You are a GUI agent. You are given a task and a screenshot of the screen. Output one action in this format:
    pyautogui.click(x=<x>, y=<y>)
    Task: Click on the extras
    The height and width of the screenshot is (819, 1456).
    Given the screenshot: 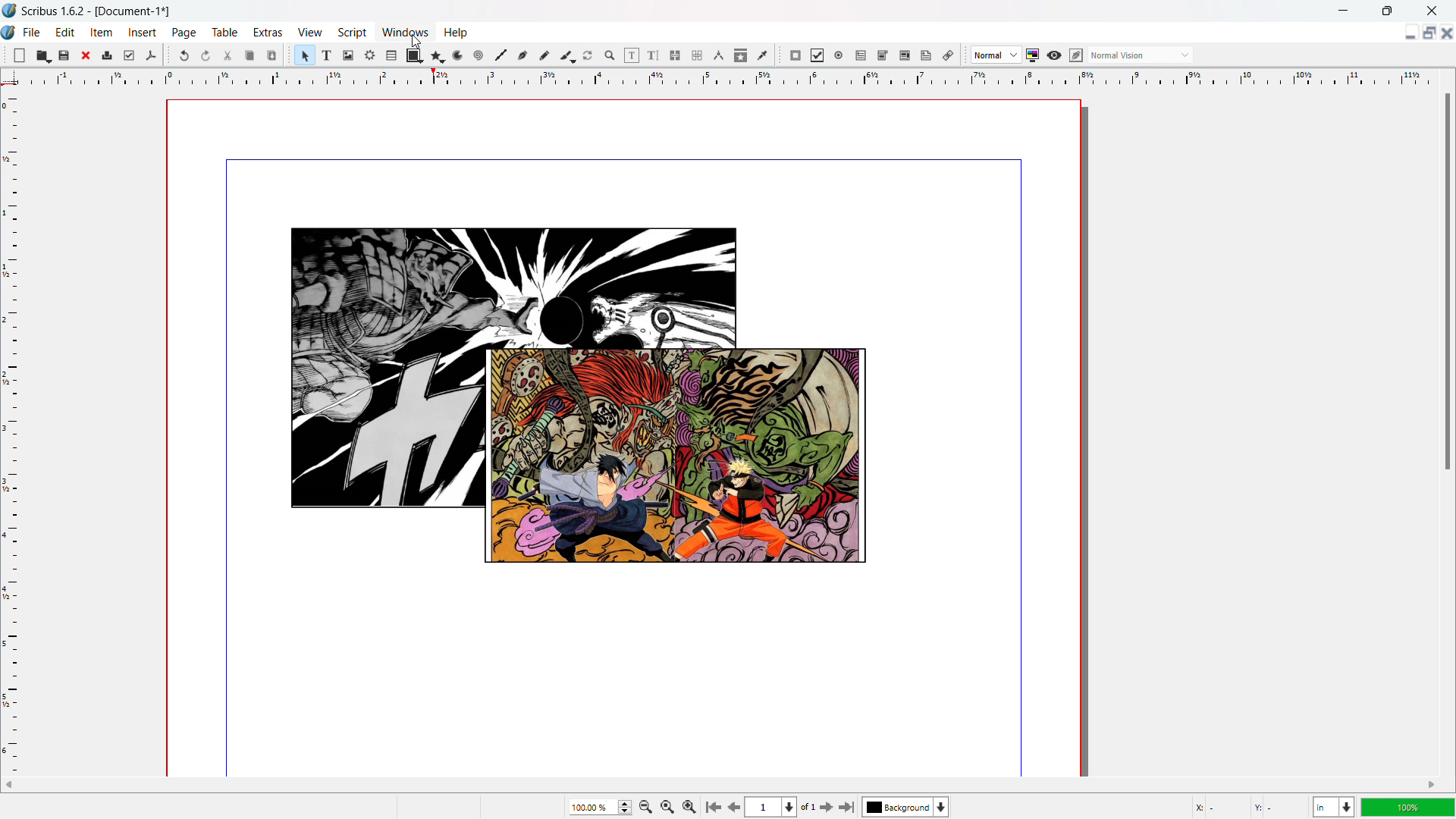 What is the action you would take?
    pyautogui.click(x=268, y=32)
    